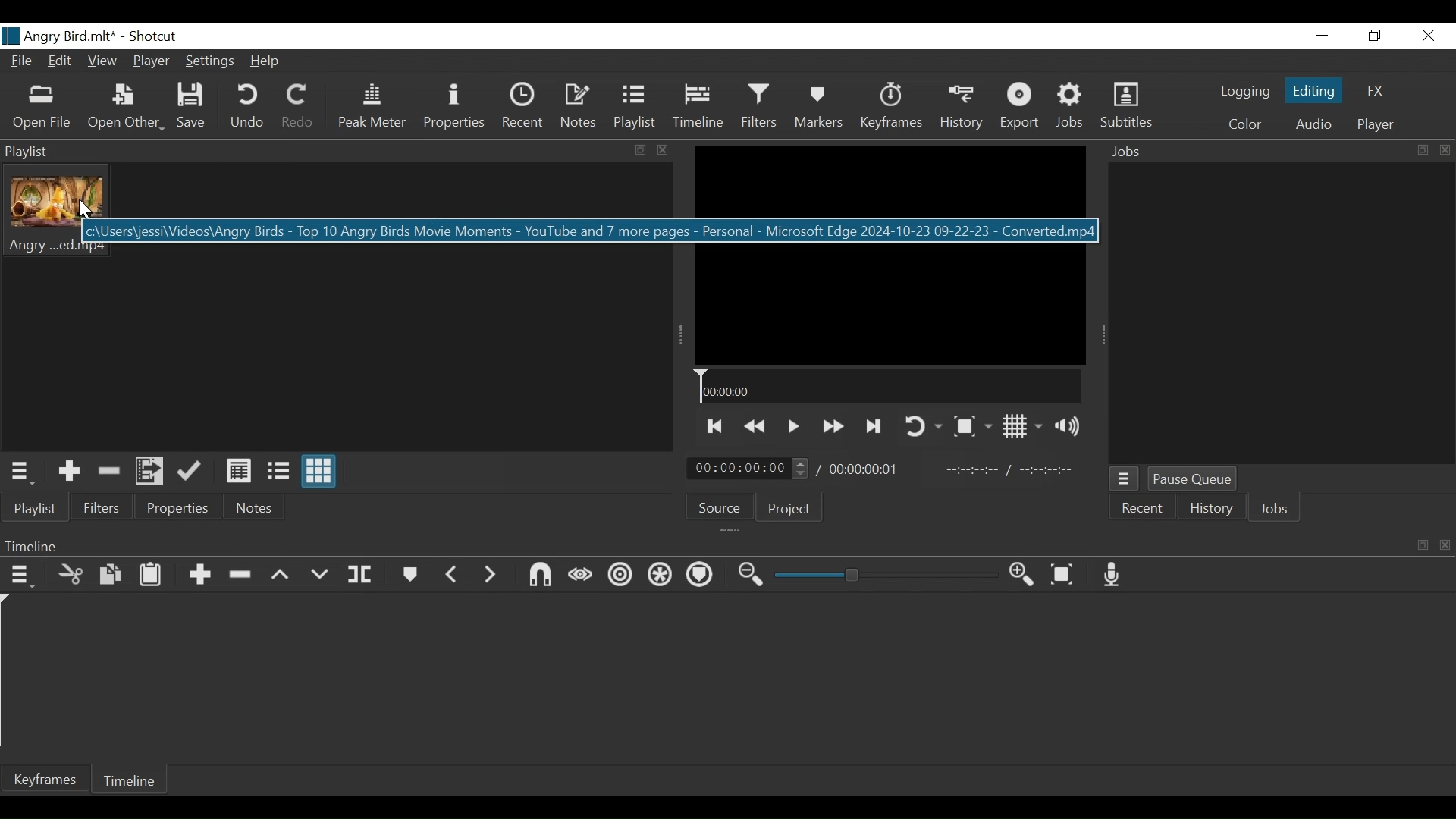  Describe the element at coordinates (524, 106) in the screenshot. I see `Recent` at that location.